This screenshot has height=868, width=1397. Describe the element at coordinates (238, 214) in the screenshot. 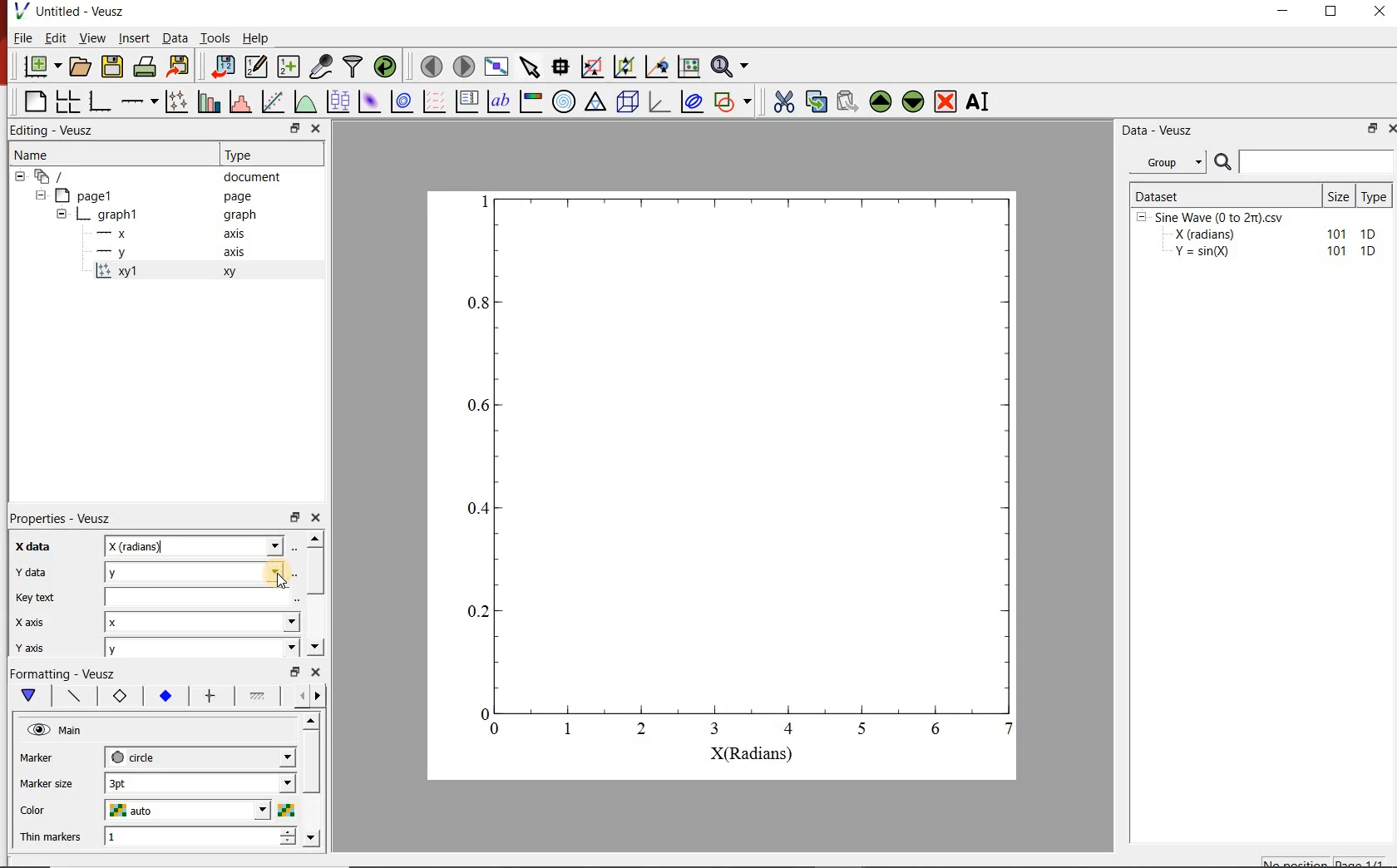

I see `graph` at that location.